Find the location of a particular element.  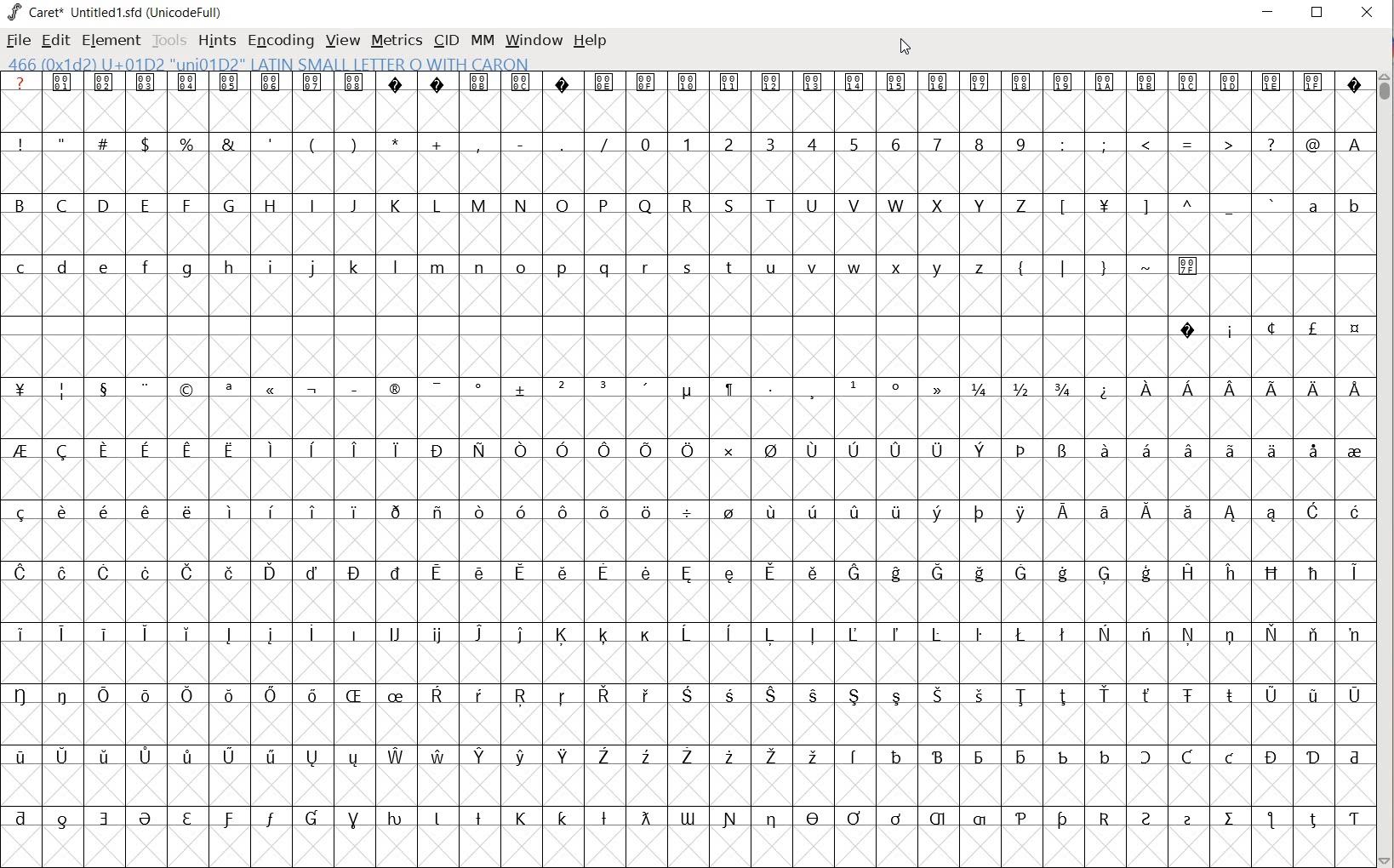

SCROLLBAR is located at coordinates (1385, 467).